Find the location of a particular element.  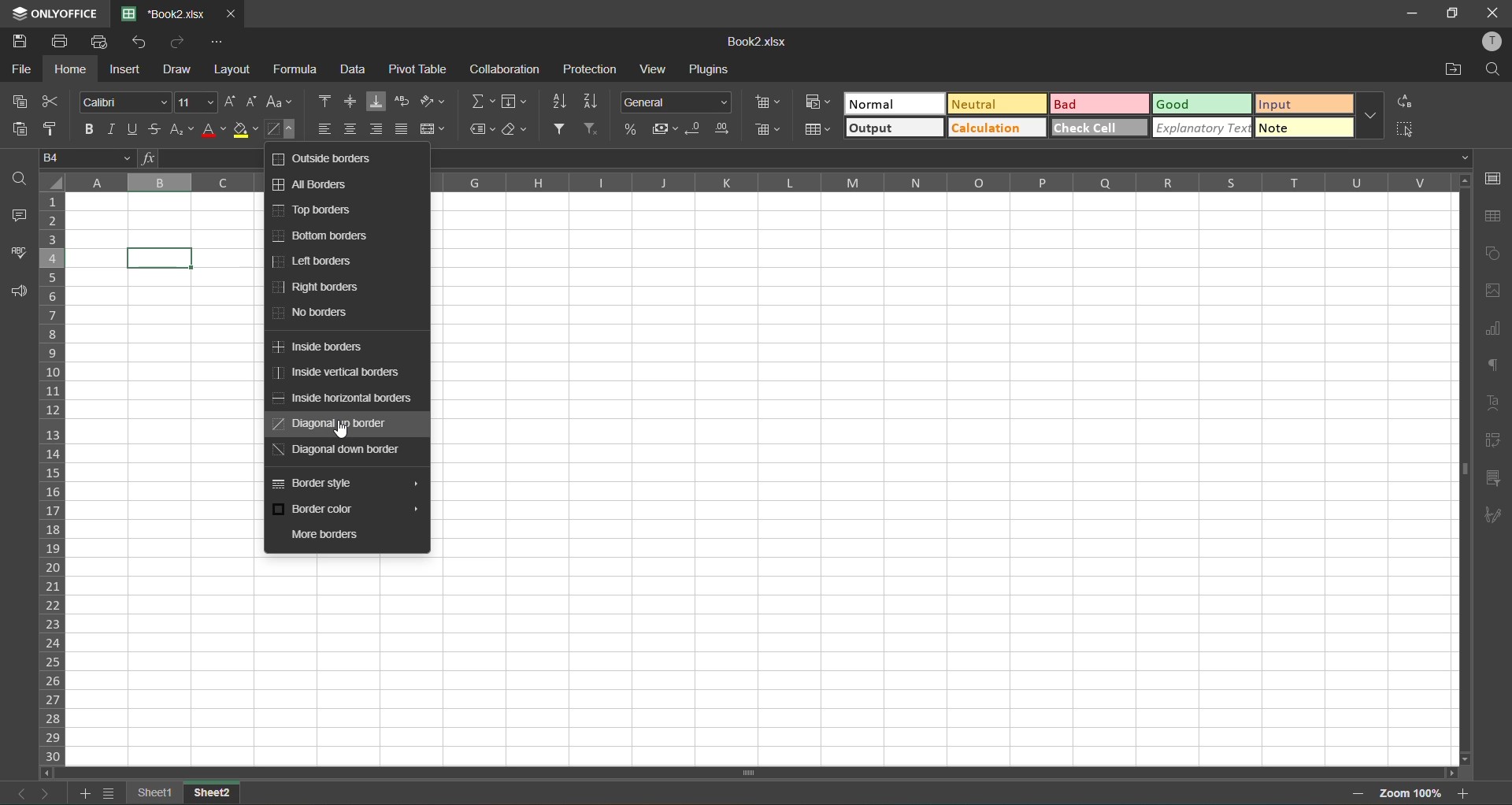

draw is located at coordinates (180, 68).